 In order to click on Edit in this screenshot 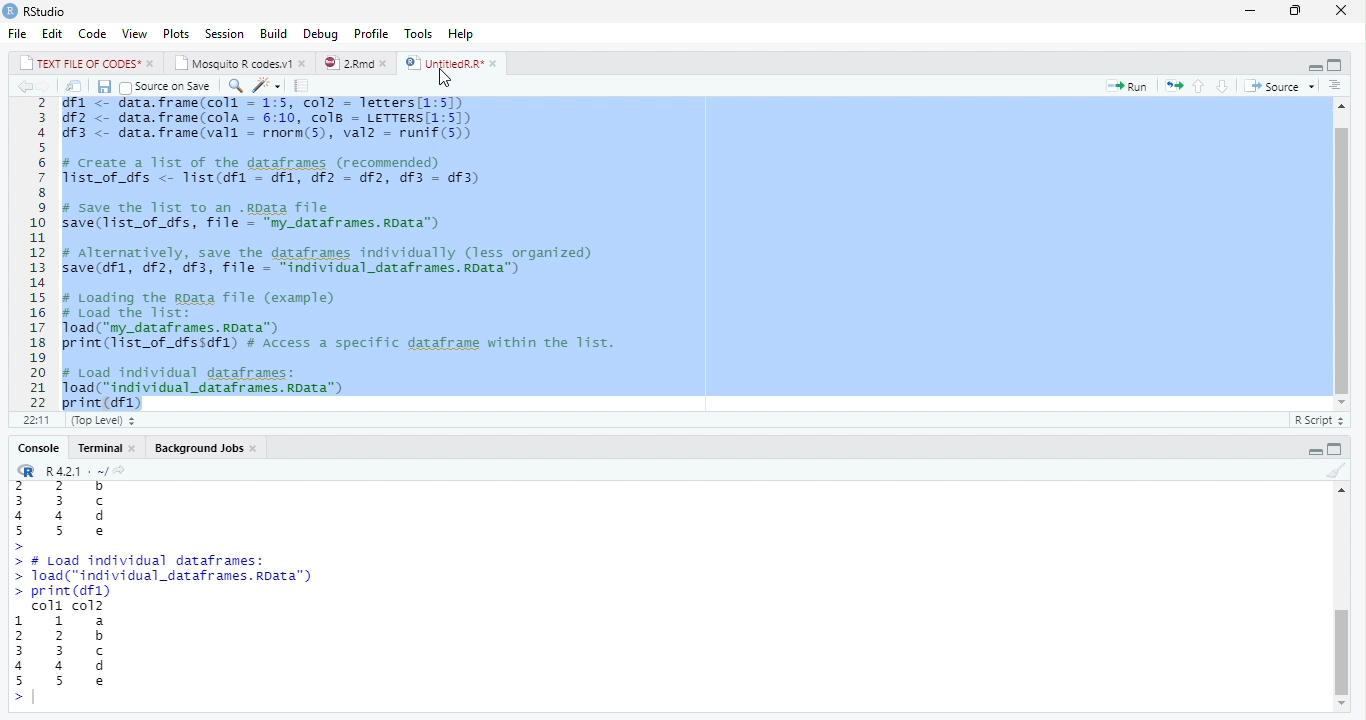, I will do `click(53, 33)`.